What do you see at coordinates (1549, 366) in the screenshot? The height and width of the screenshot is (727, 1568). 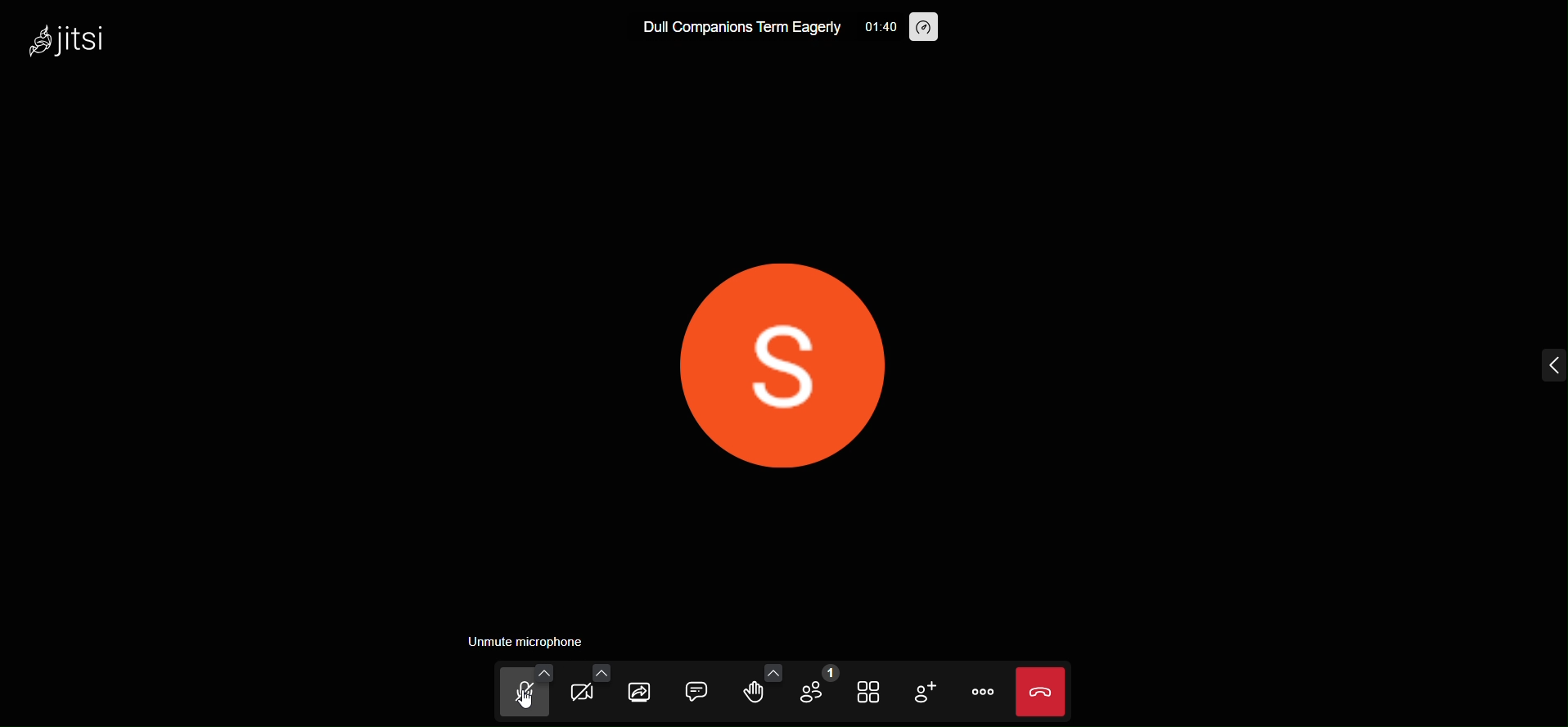 I see `expand` at bounding box center [1549, 366].